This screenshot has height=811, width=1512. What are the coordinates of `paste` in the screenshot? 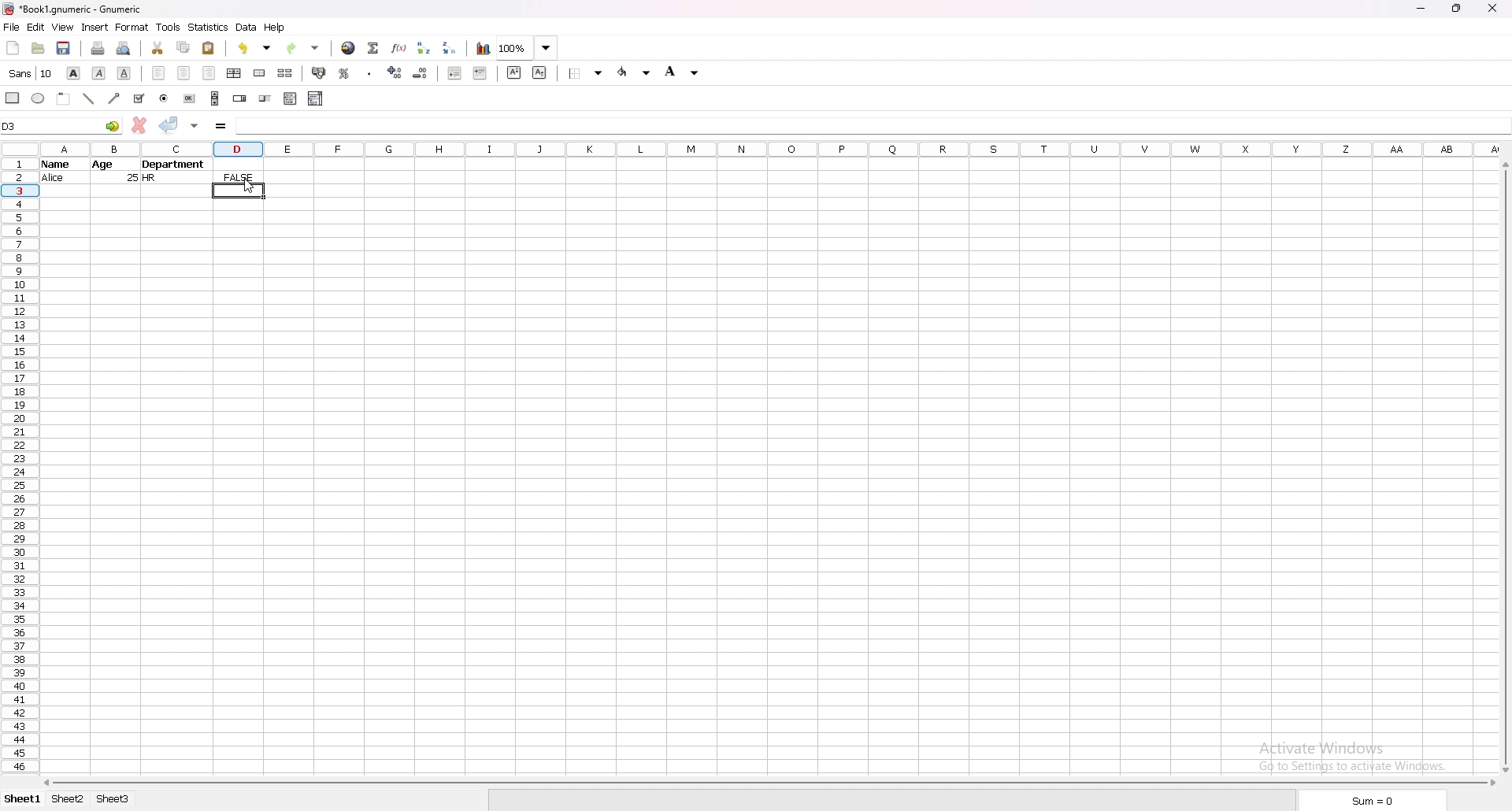 It's located at (209, 48).